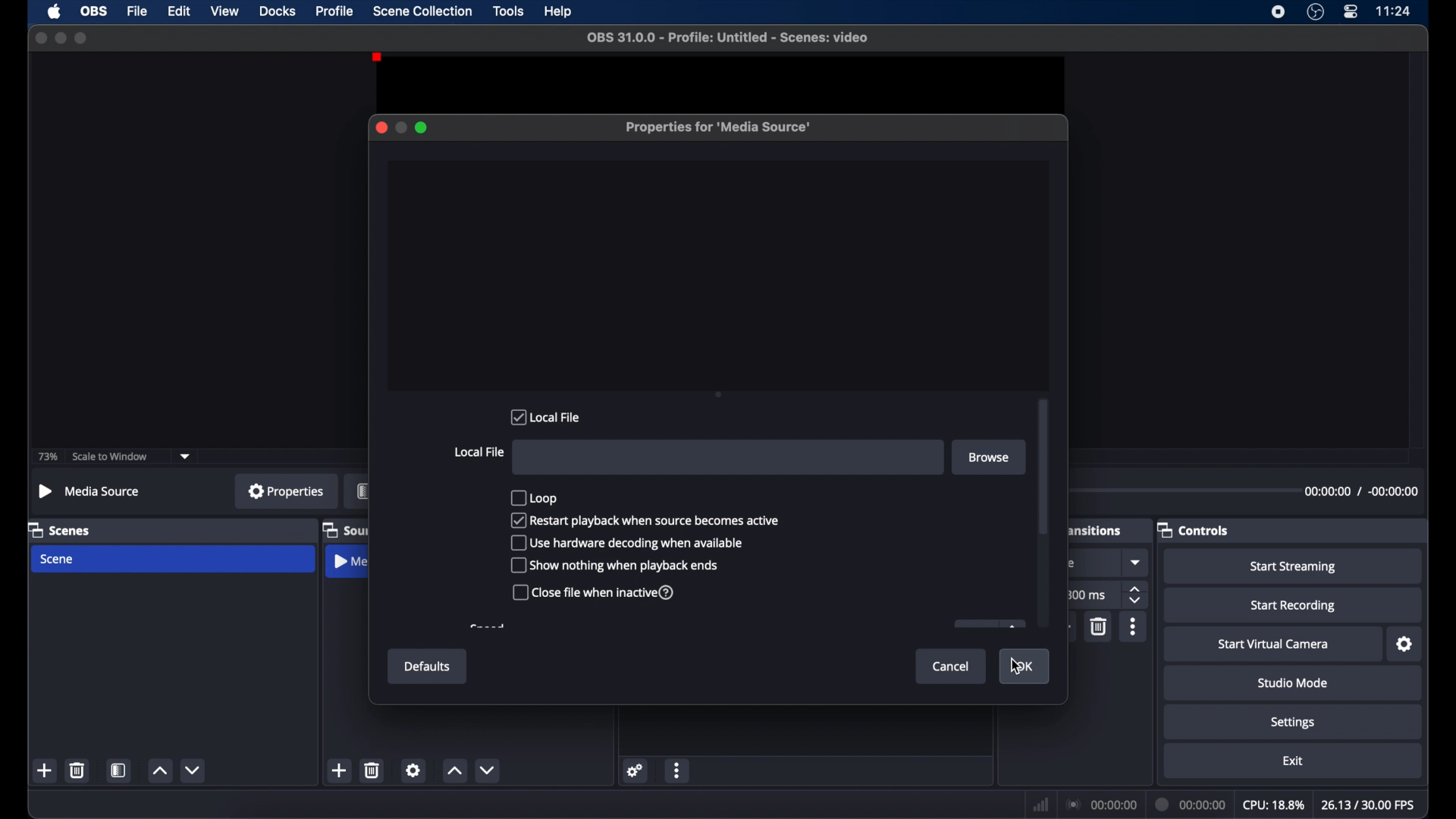 The height and width of the screenshot is (819, 1456). I want to click on control center, so click(1350, 12).